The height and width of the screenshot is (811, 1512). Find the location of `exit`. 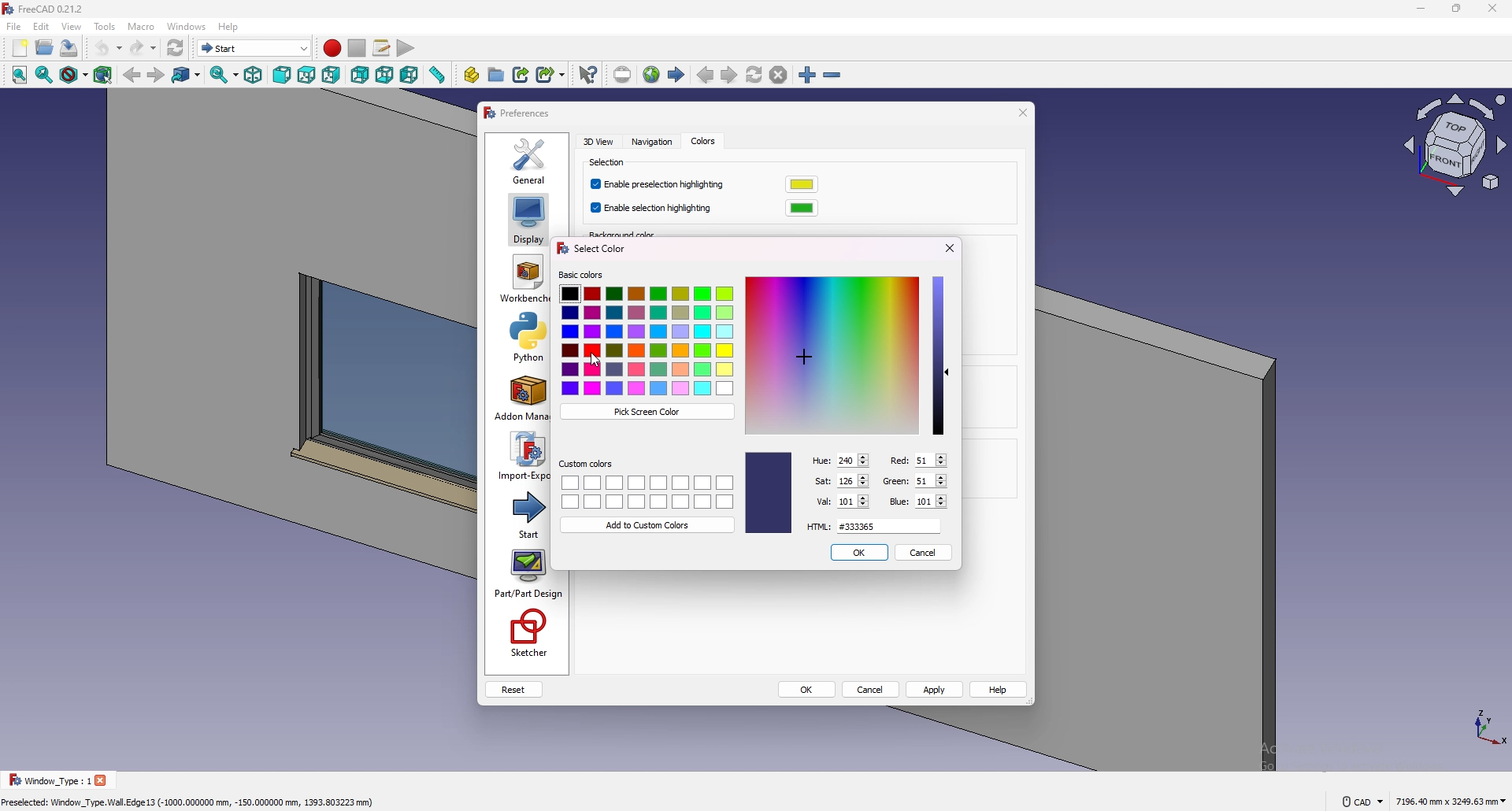

exit is located at coordinates (951, 246).